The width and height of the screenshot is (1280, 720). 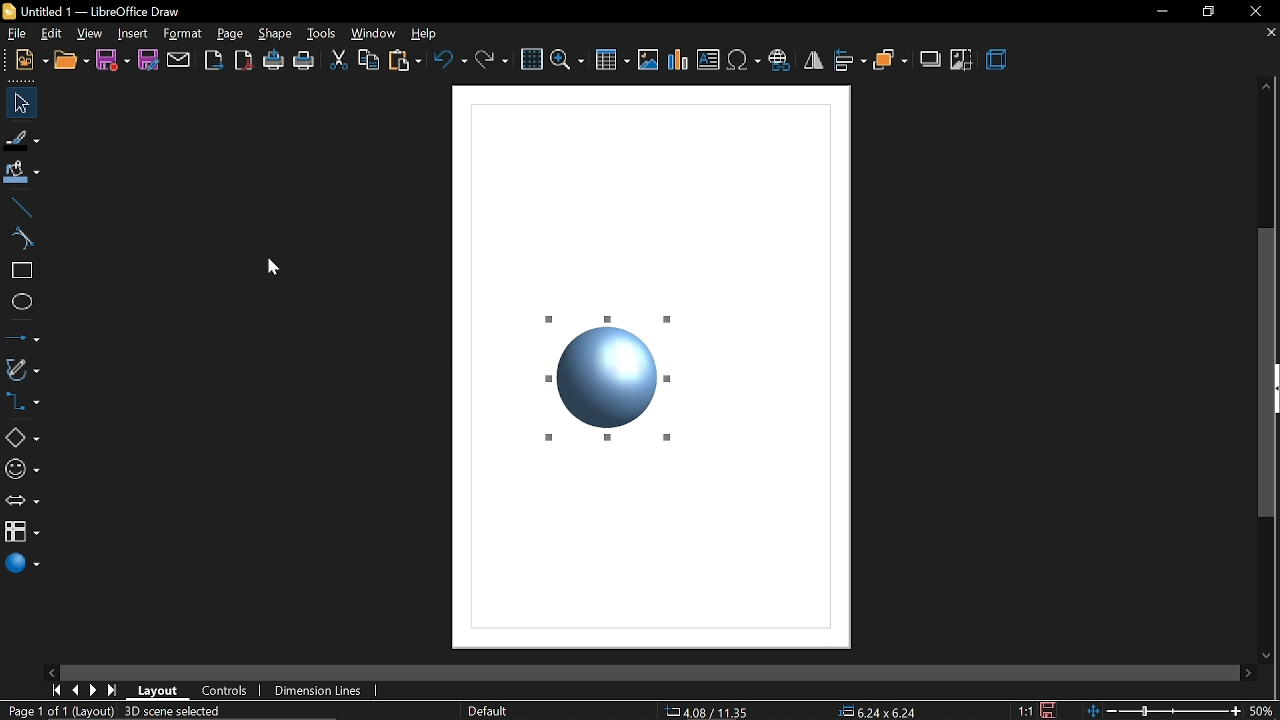 I want to click on save, so click(x=113, y=61).